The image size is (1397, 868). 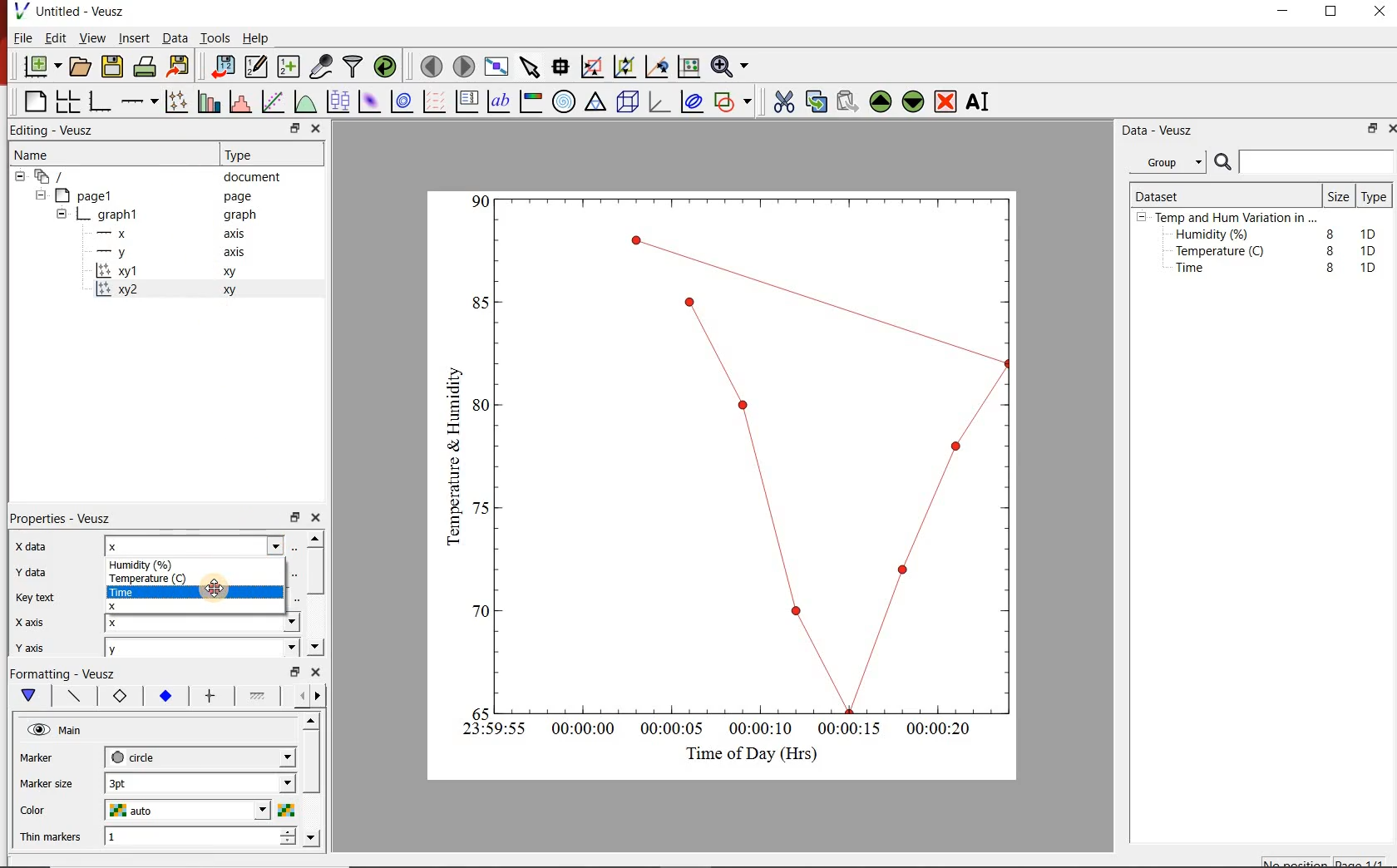 I want to click on plot bar charts, so click(x=210, y=99).